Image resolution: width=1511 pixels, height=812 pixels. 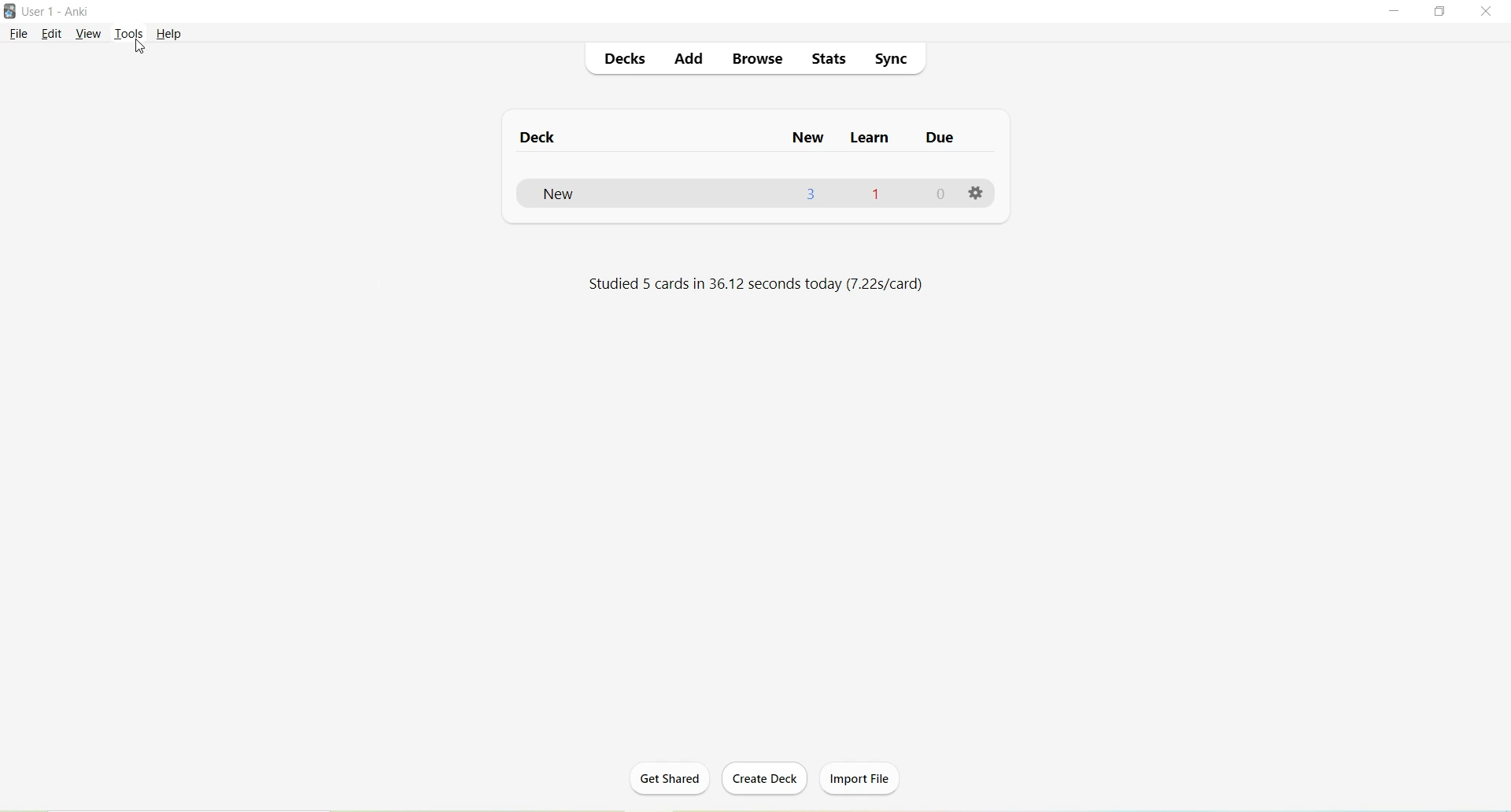 I want to click on Get Shared, so click(x=676, y=781).